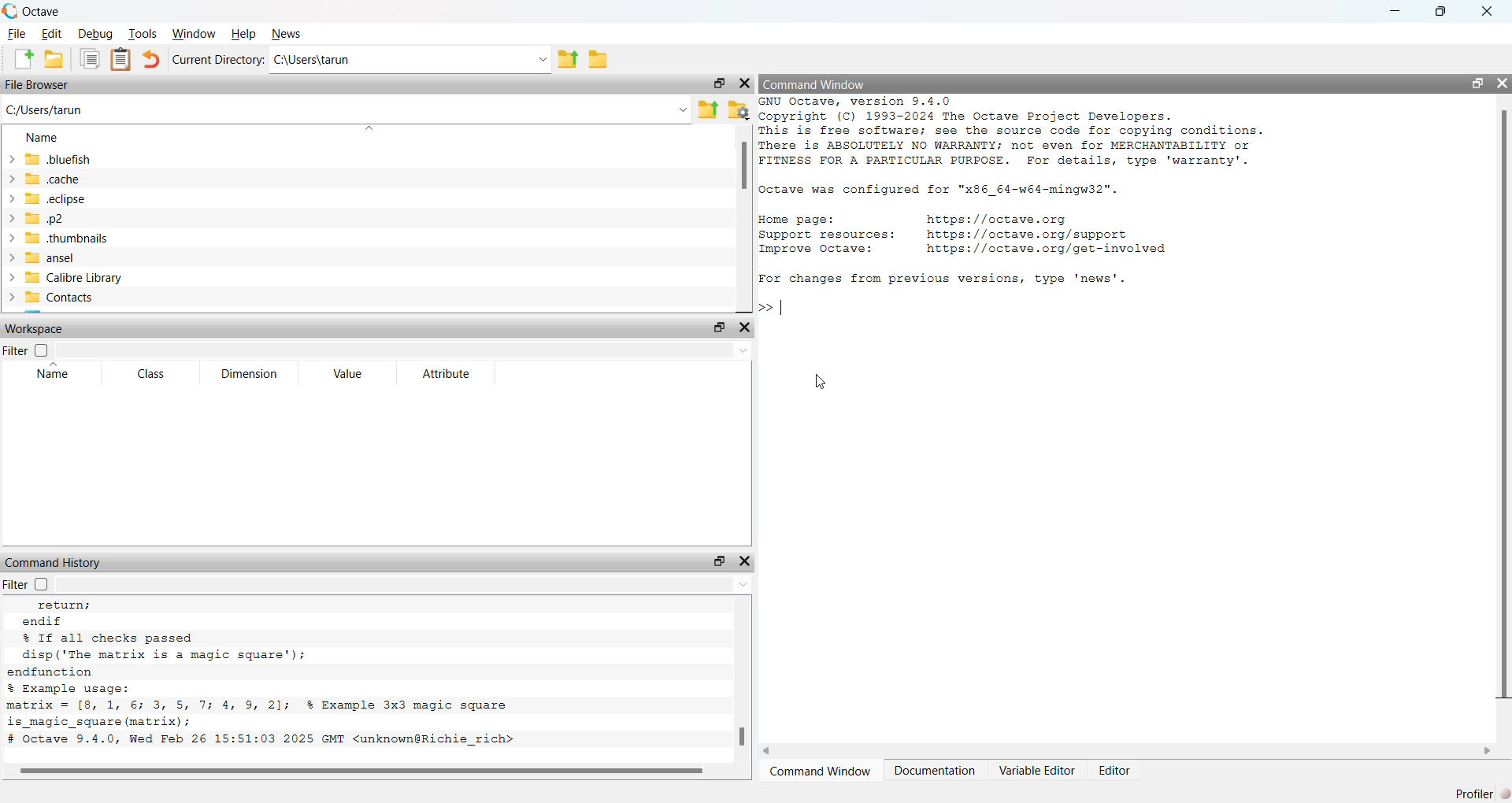  I want to click on Command History, so click(55, 563).